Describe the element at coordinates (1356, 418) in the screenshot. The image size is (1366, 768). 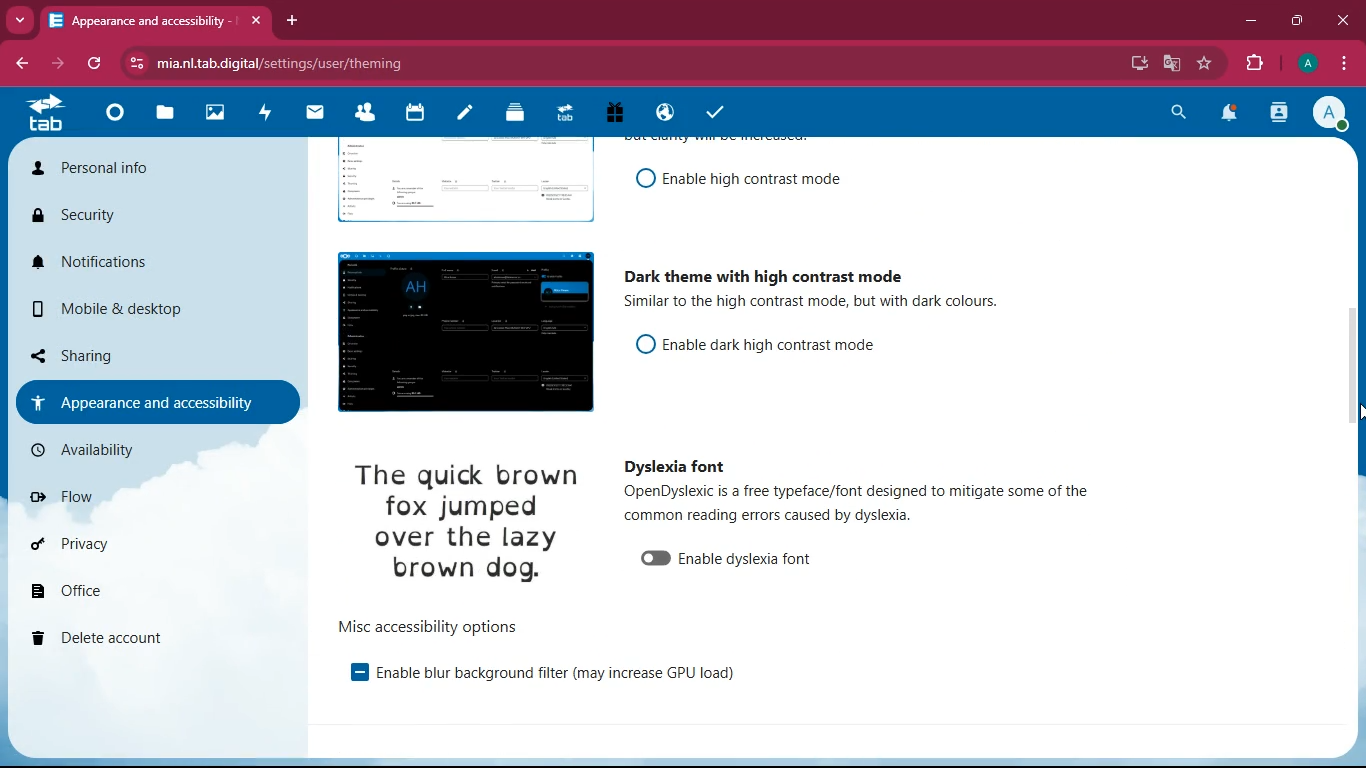
I see `cursor` at that location.